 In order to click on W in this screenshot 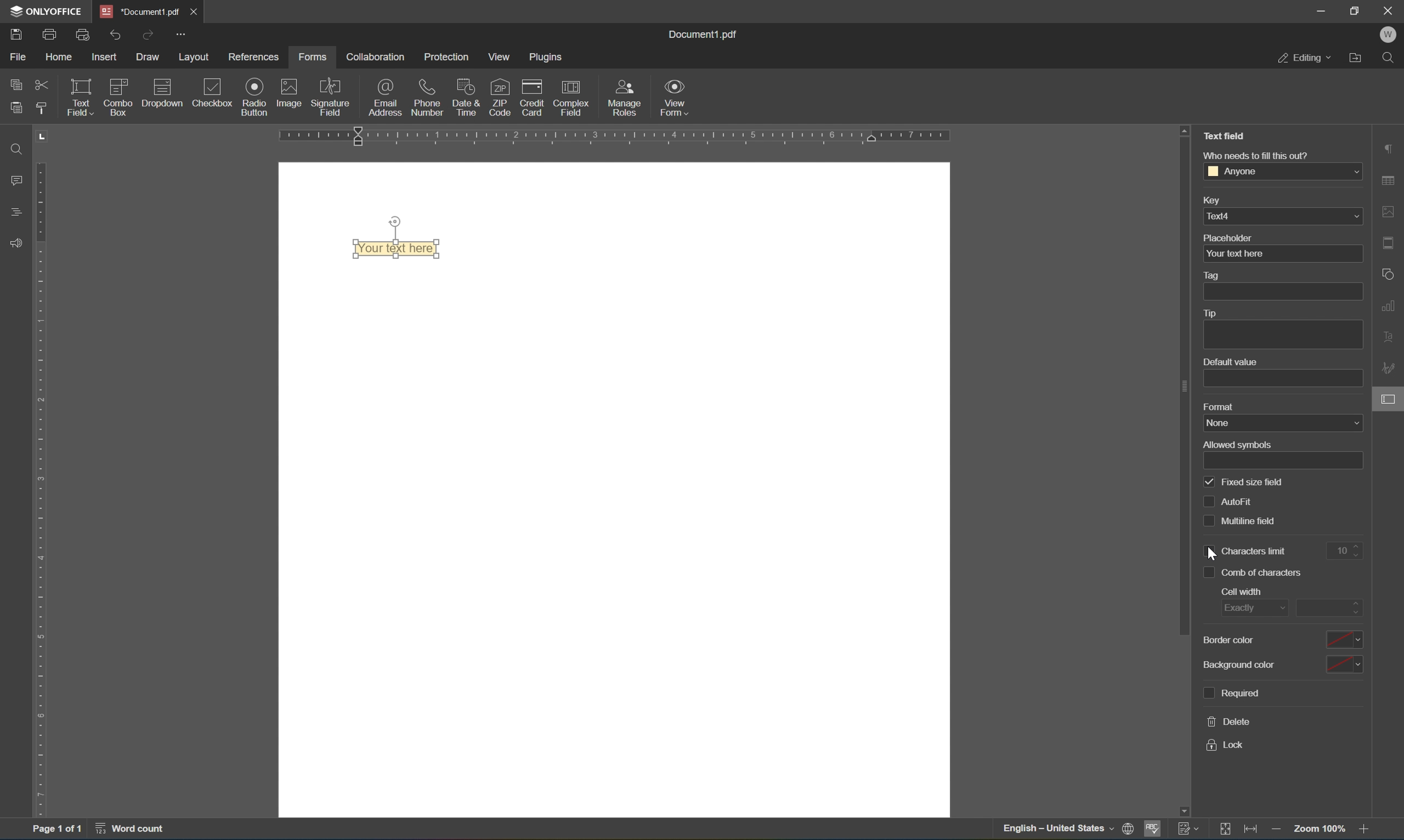, I will do `click(1388, 36)`.